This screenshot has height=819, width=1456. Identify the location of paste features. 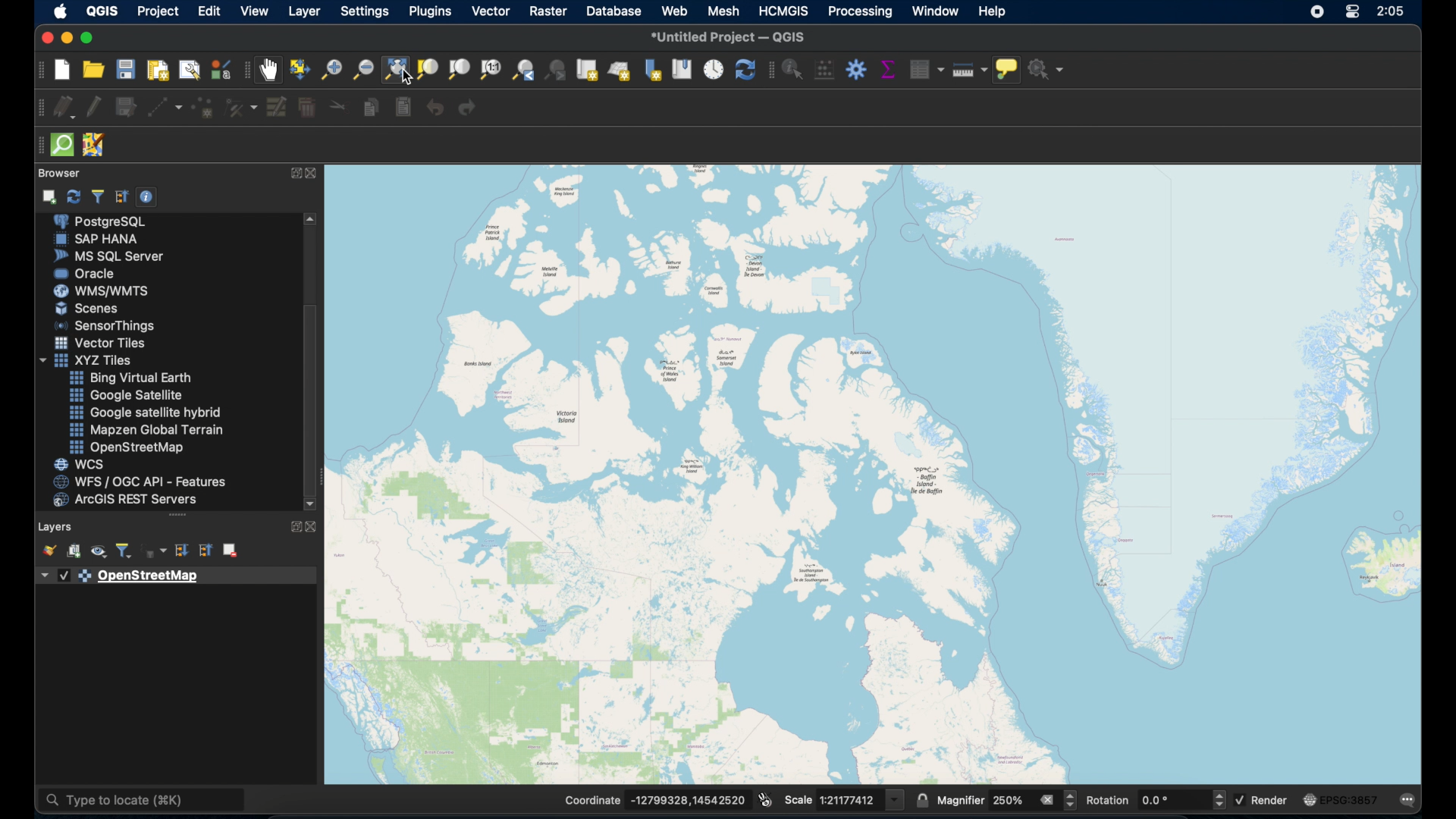
(402, 108).